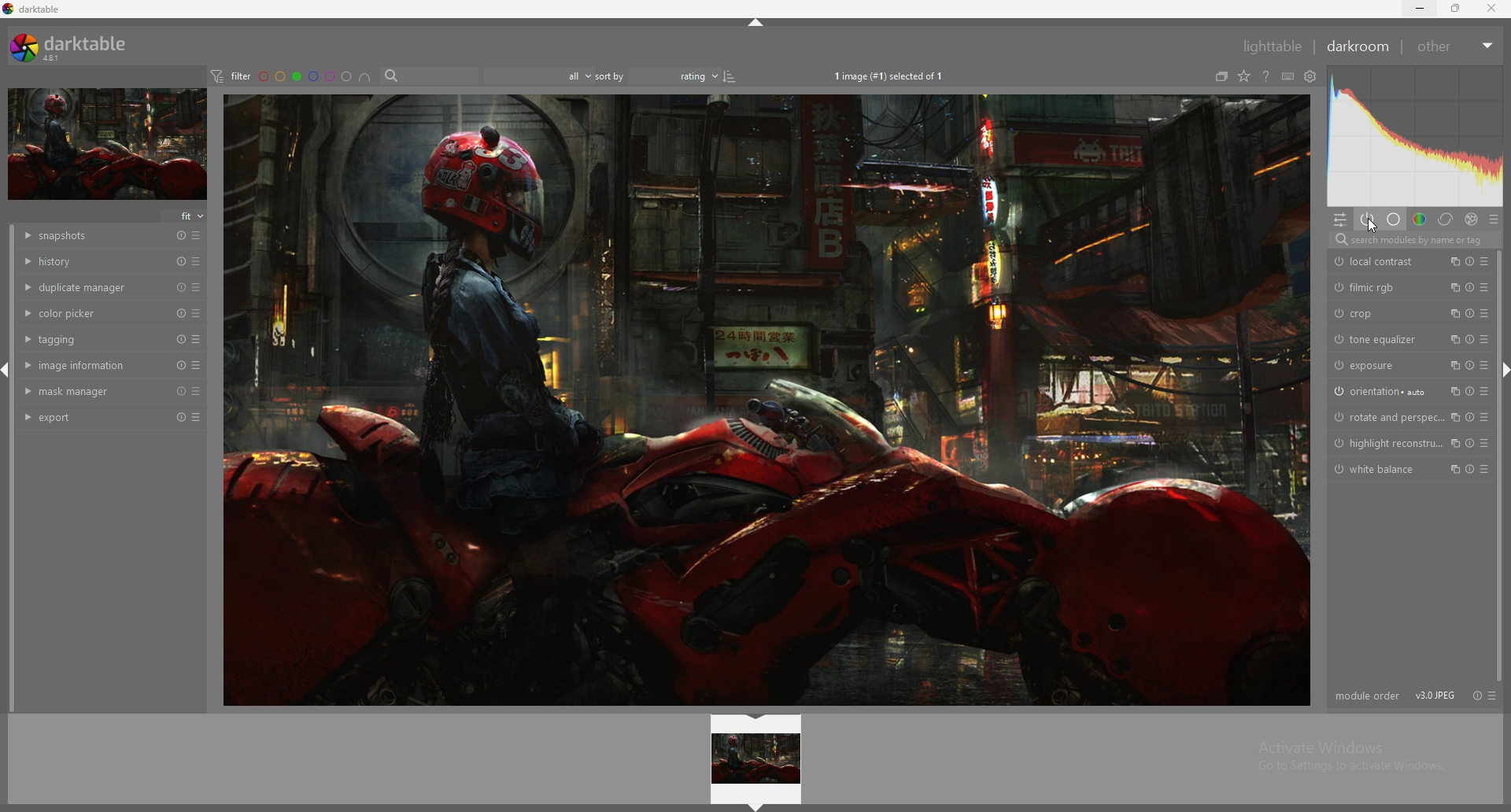 The height and width of the screenshot is (812, 1511). I want to click on darktable, so click(75, 46).